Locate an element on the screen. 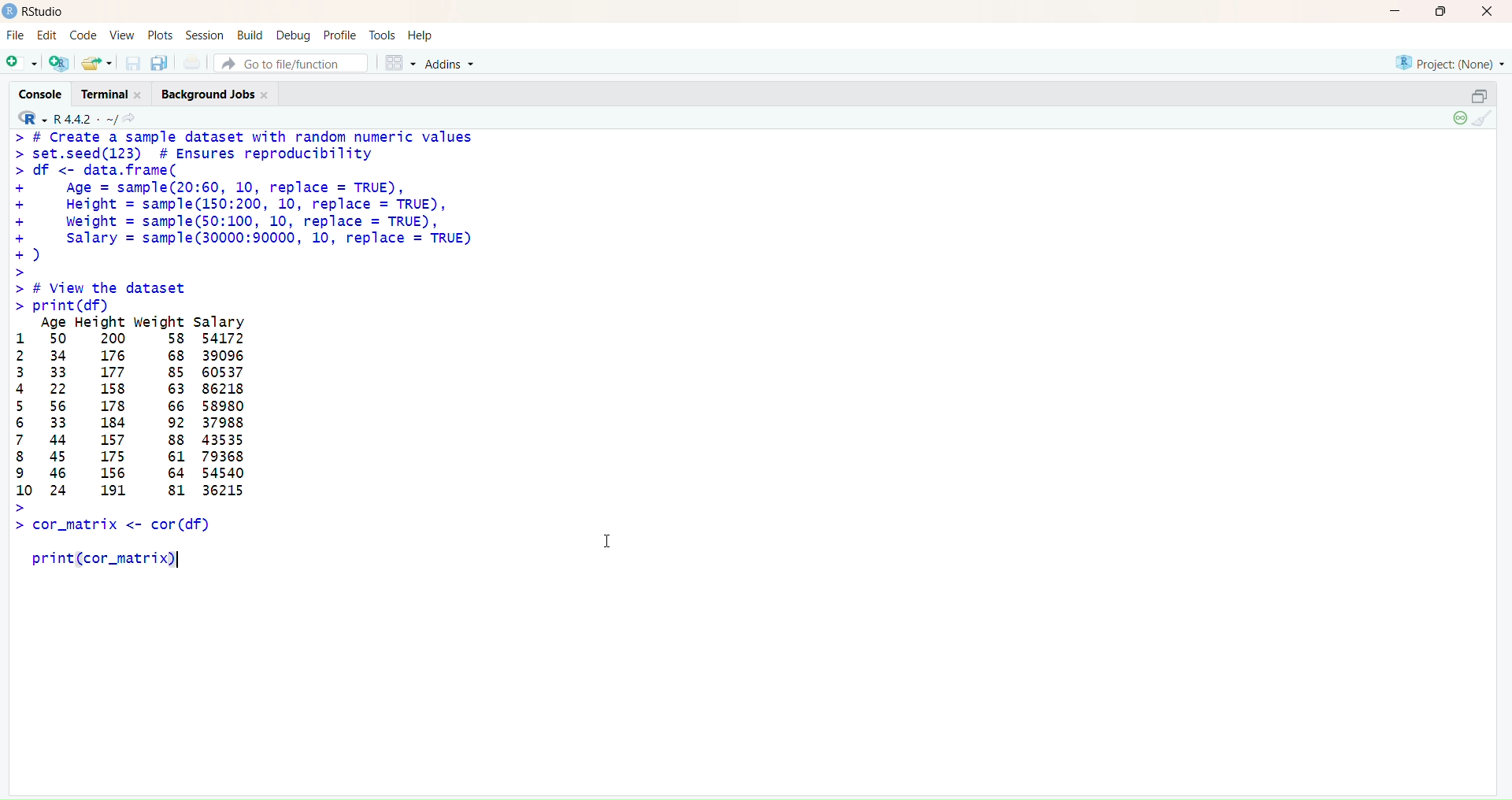  Go to file/function is located at coordinates (290, 64).